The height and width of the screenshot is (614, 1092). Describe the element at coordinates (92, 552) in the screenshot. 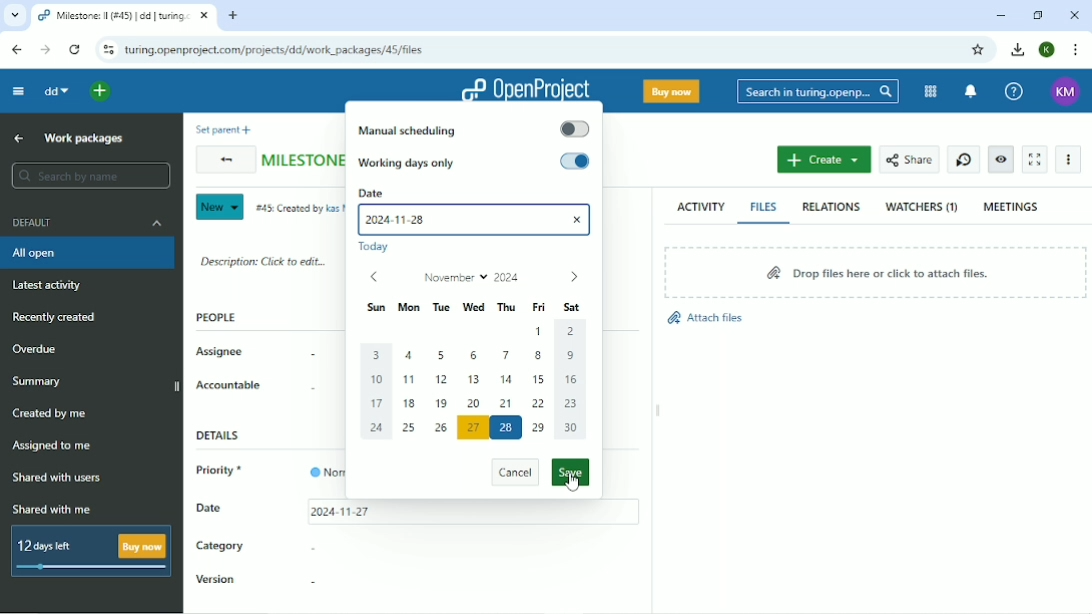

I see `12 days left Buy now` at that location.